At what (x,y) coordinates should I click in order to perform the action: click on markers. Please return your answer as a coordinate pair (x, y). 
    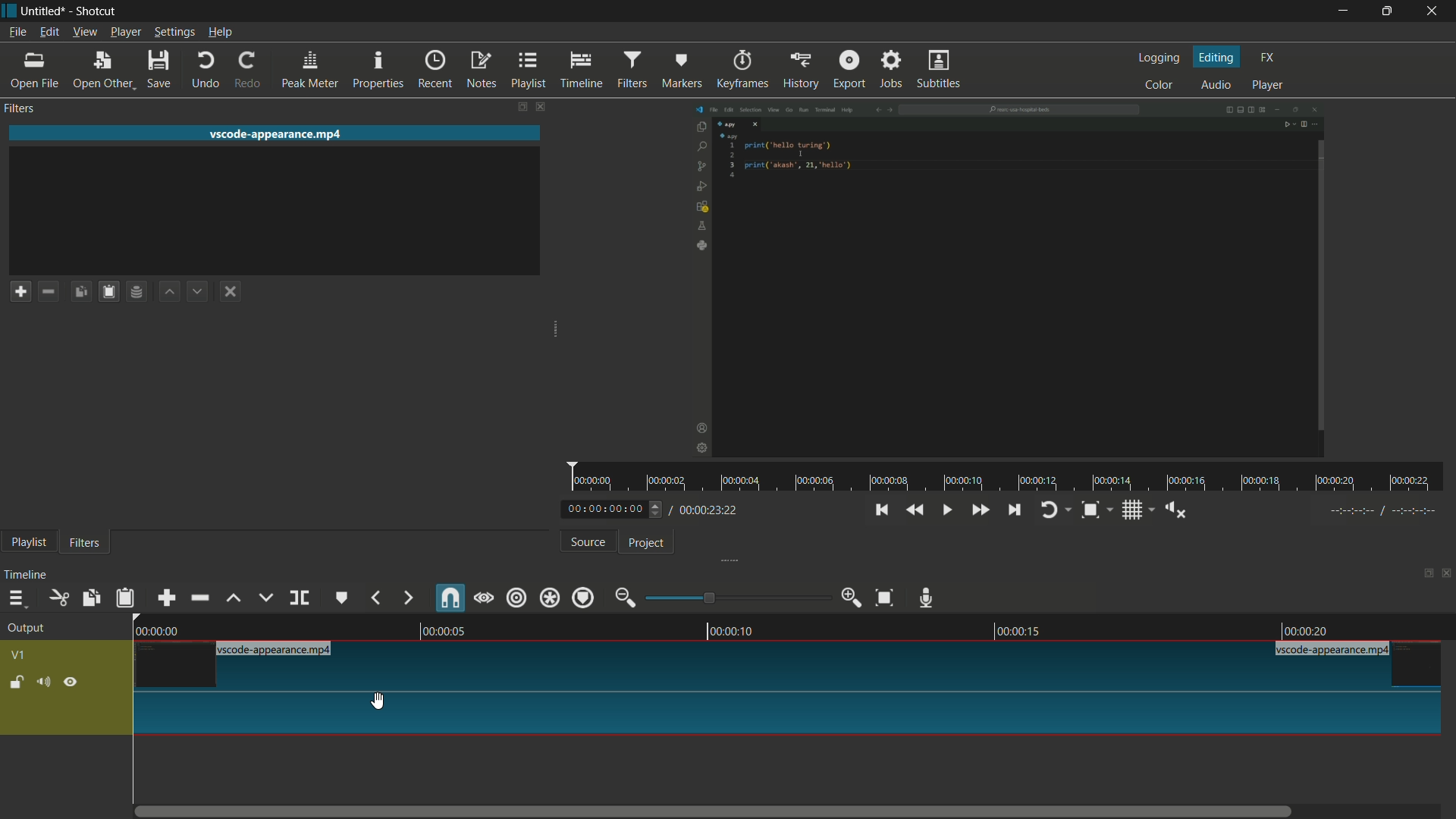
    Looking at the image, I should click on (683, 70).